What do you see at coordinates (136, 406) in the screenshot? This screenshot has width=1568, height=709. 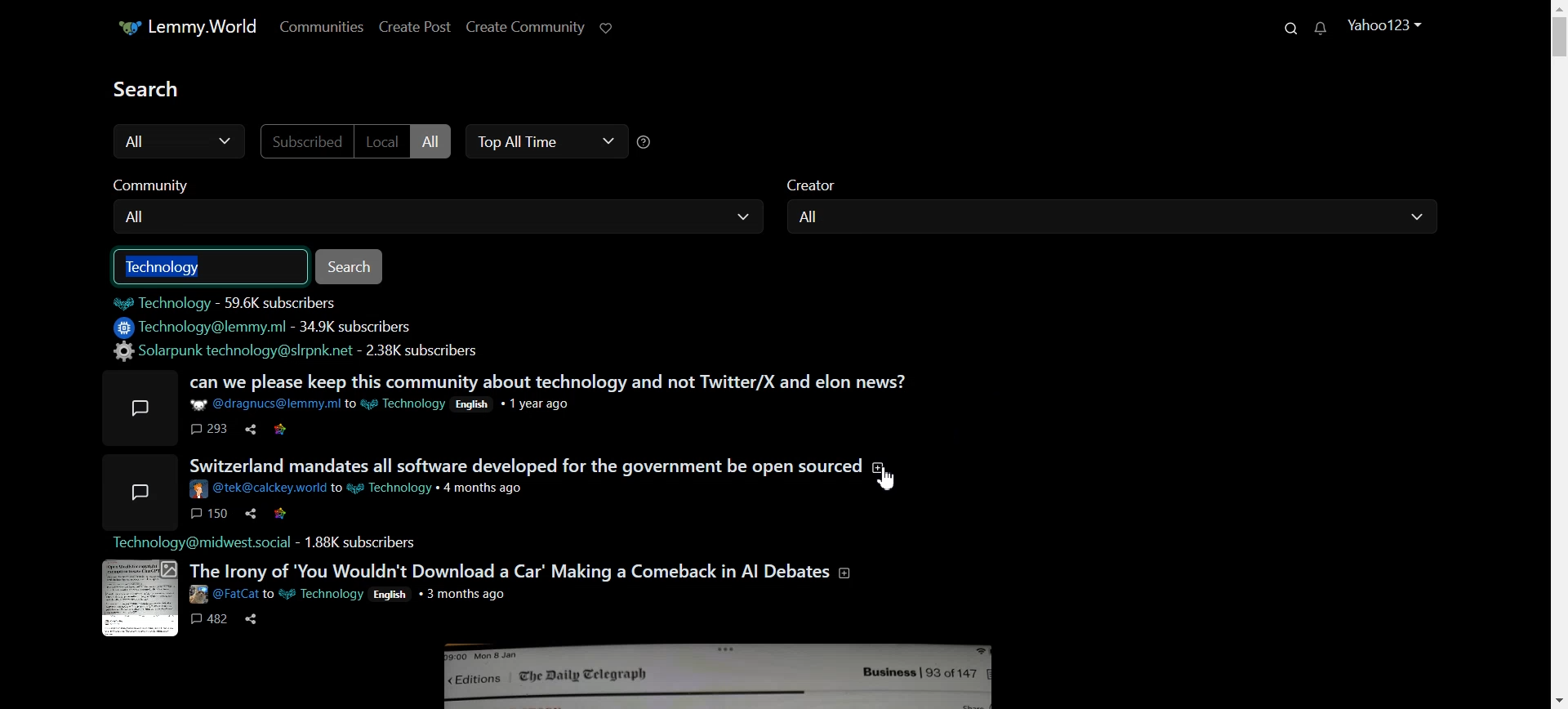 I see `Expand here` at bounding box center [136, 406].